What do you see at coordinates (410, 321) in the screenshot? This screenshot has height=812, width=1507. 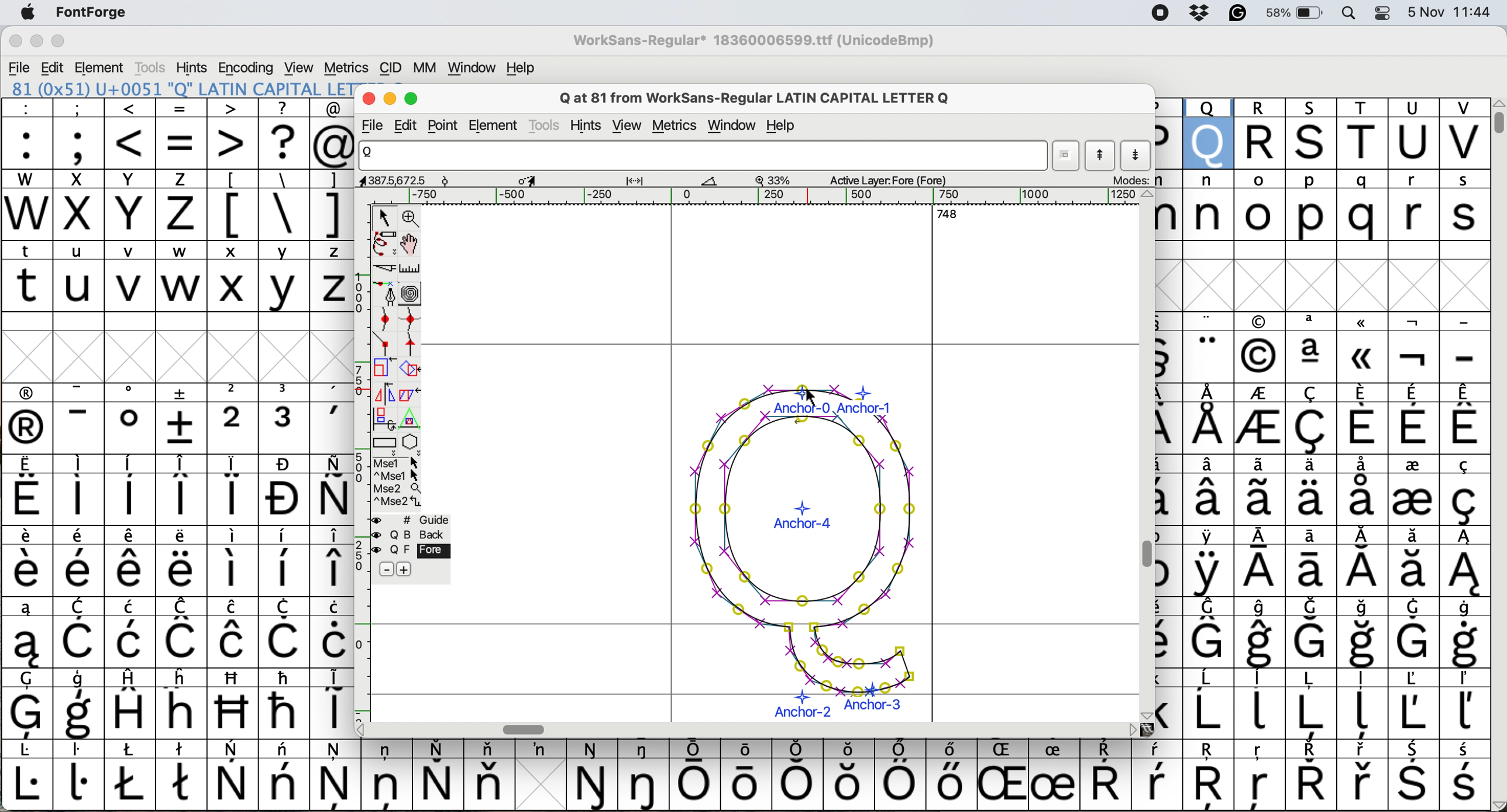 I see `add a curve point horizontal or vertical` at bounding box center [410, 321].